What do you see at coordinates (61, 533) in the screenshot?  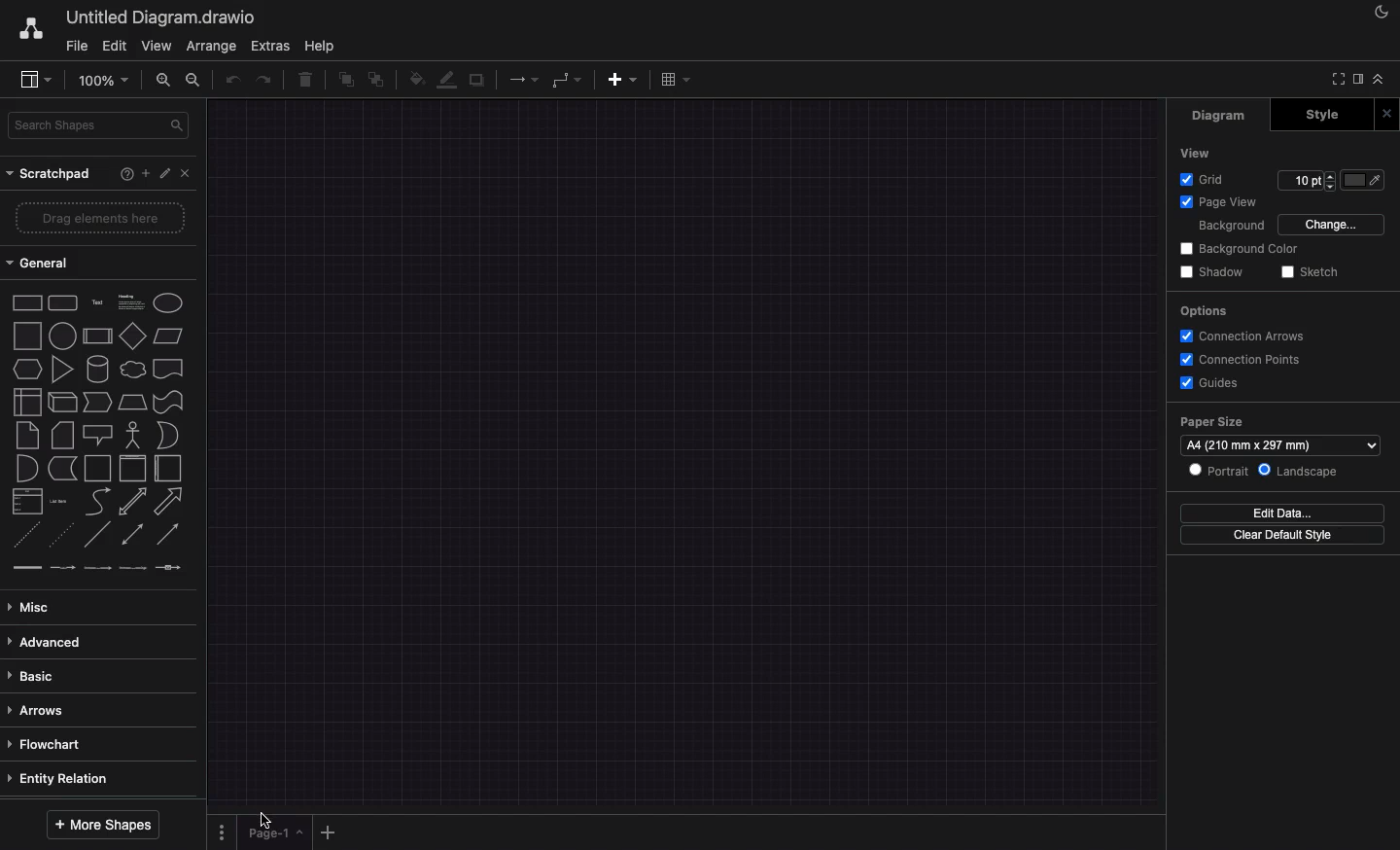 I see `dotted line` at bounding box center [61, 533].